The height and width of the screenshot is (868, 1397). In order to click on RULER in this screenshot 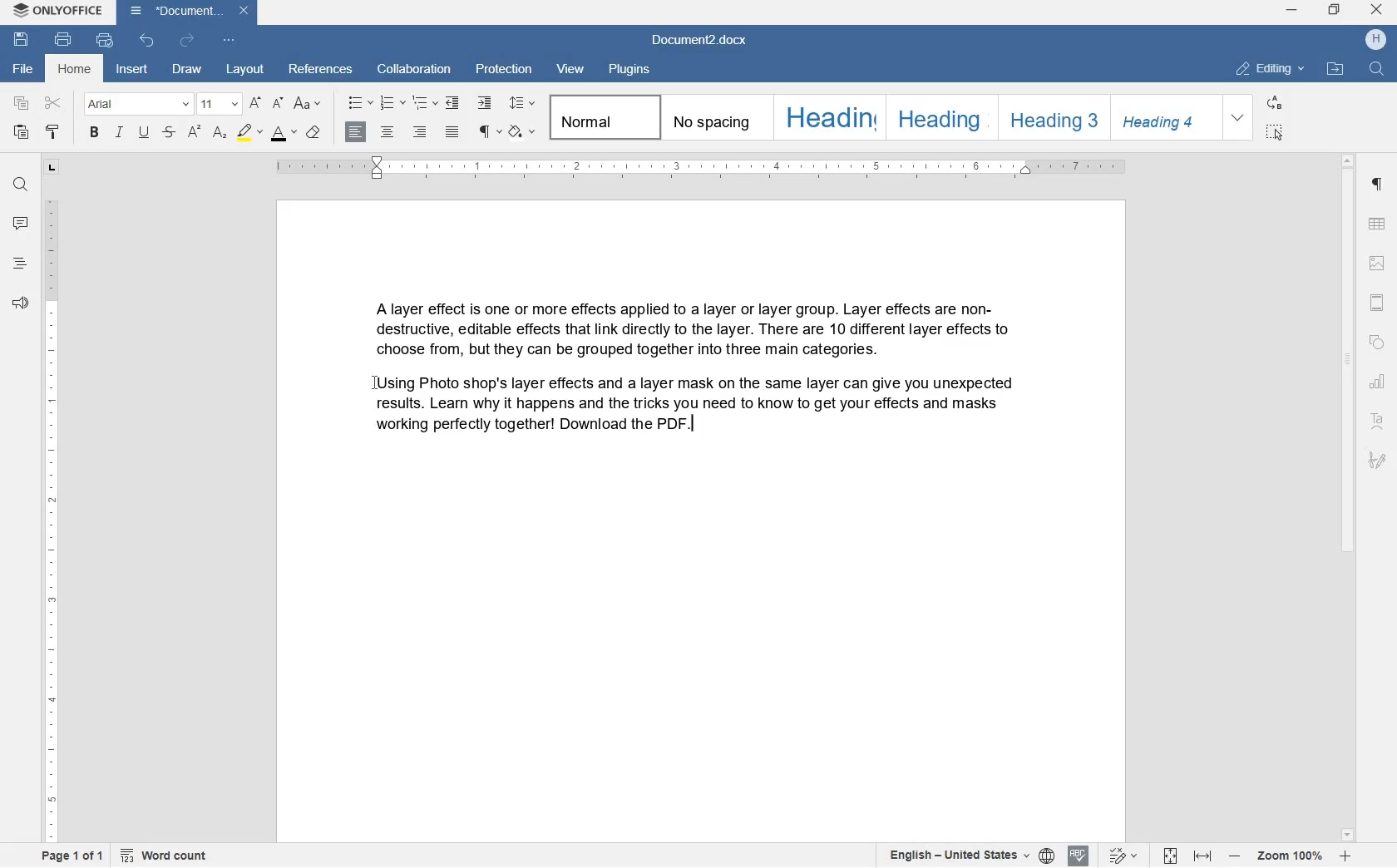, I will do `click(49, 520)`.